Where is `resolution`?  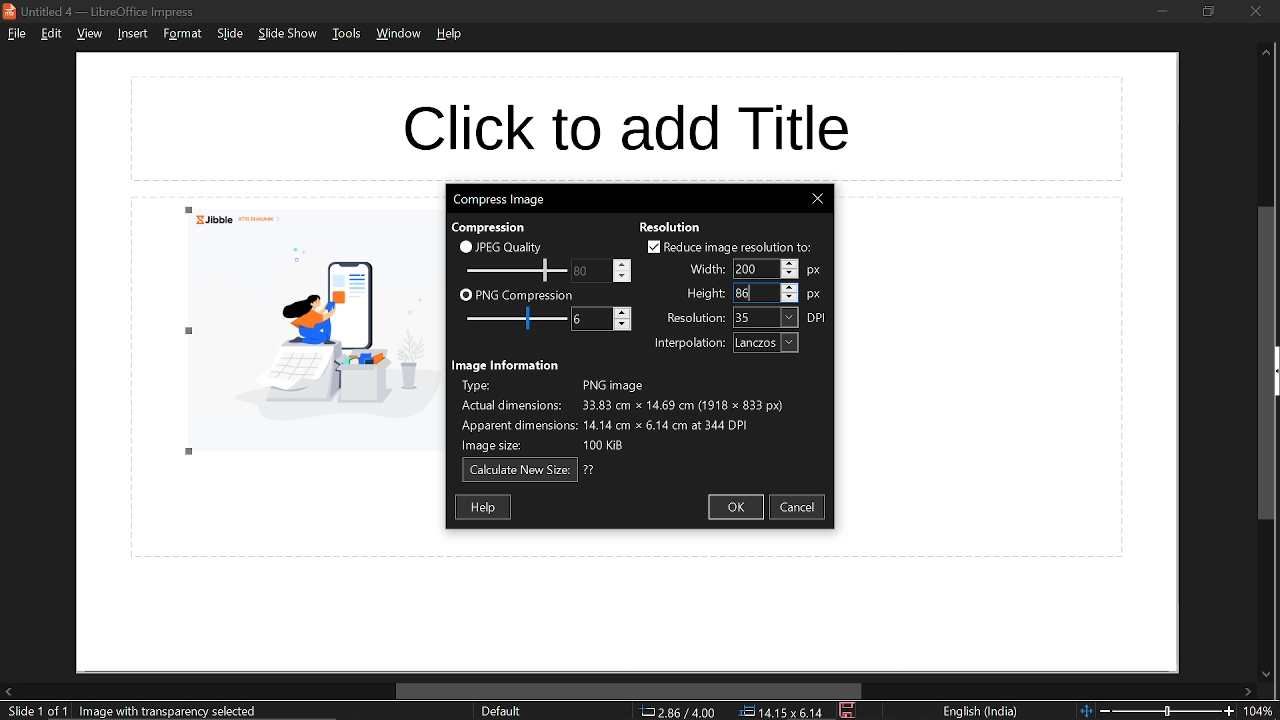
resolution is located at coordinates (671, 227).